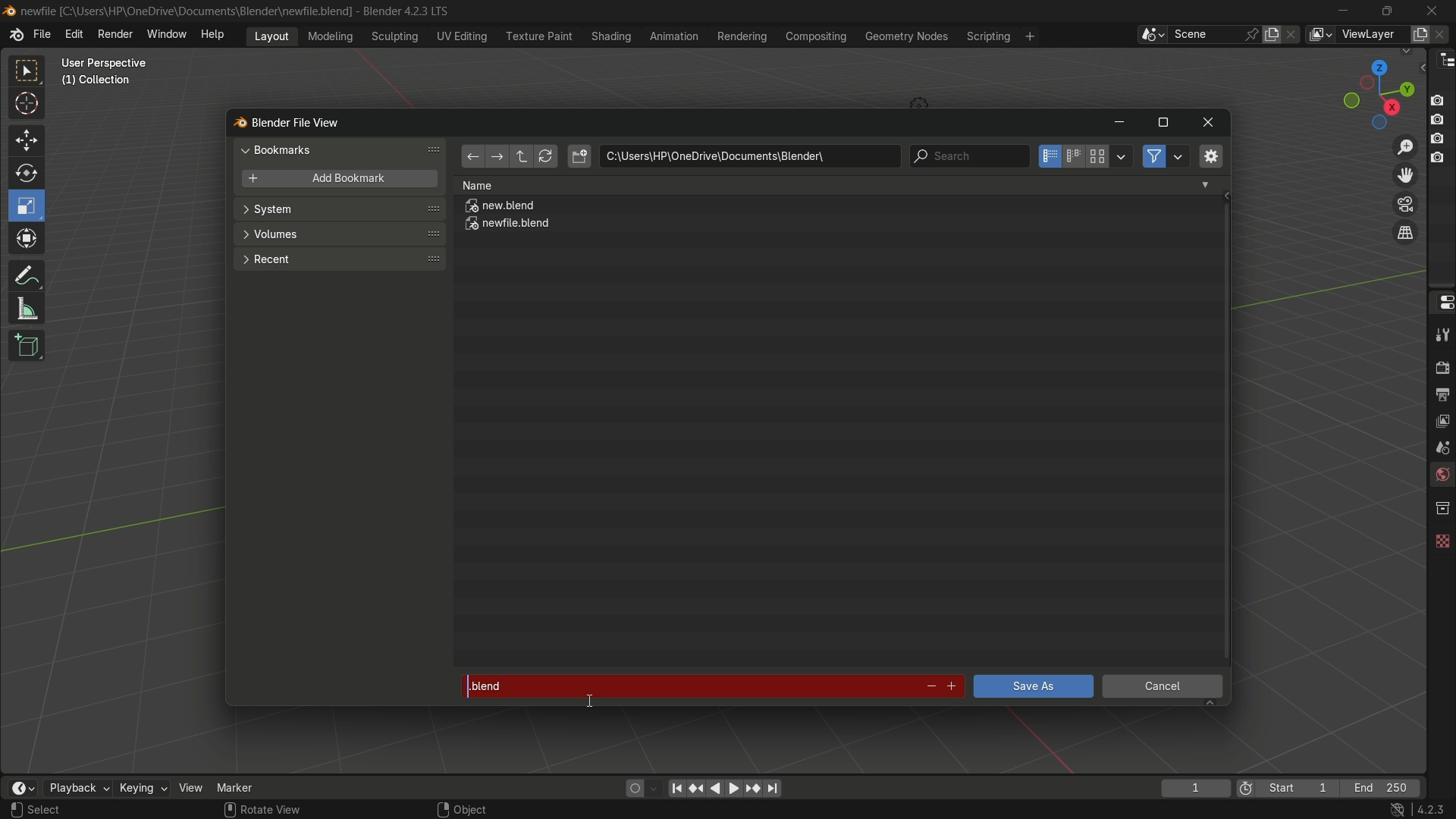  What do you see at coordinates (495, 158) in the screenshot?
I see `forward` at bounding box center [495, 158].